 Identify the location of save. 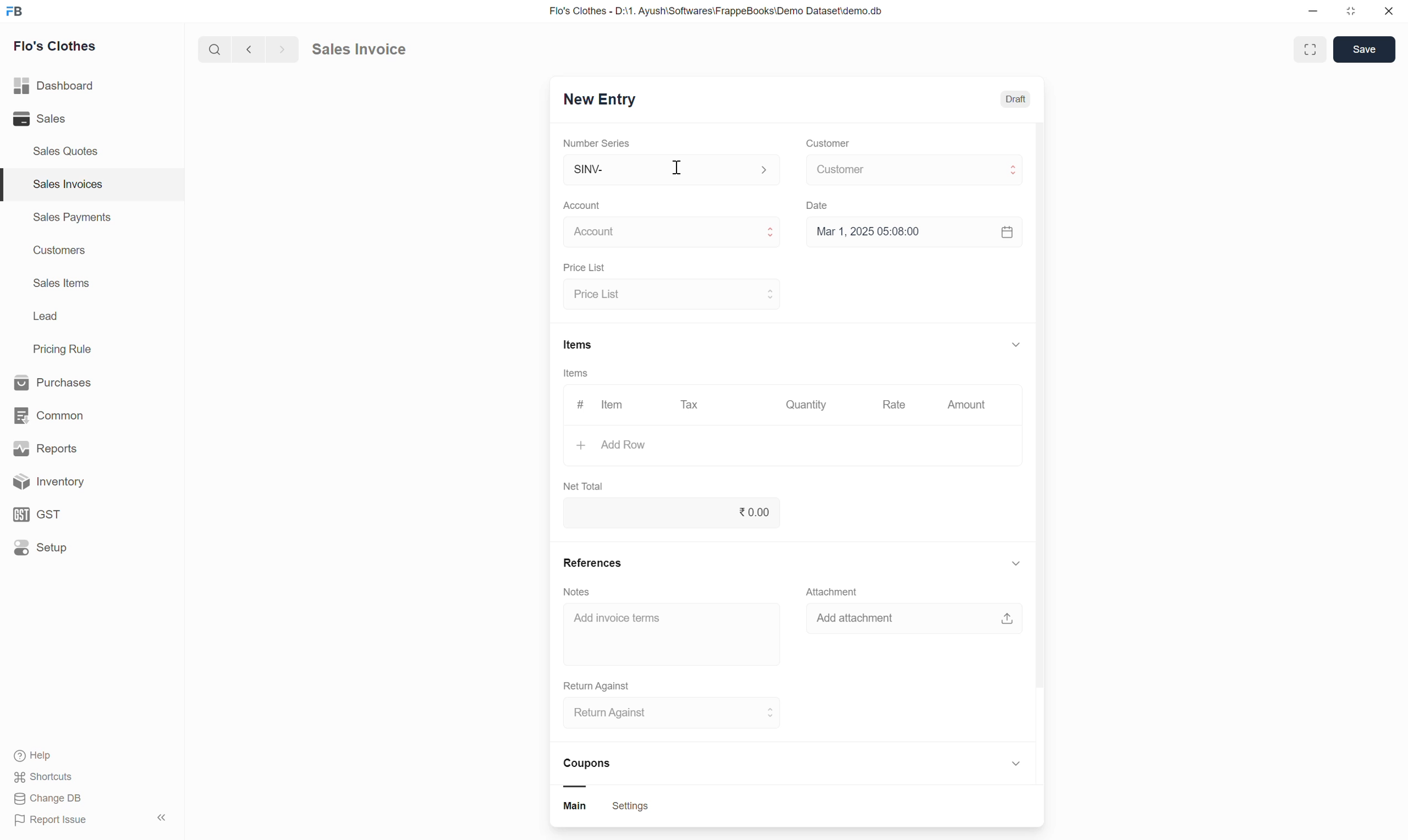
(1364, 51).